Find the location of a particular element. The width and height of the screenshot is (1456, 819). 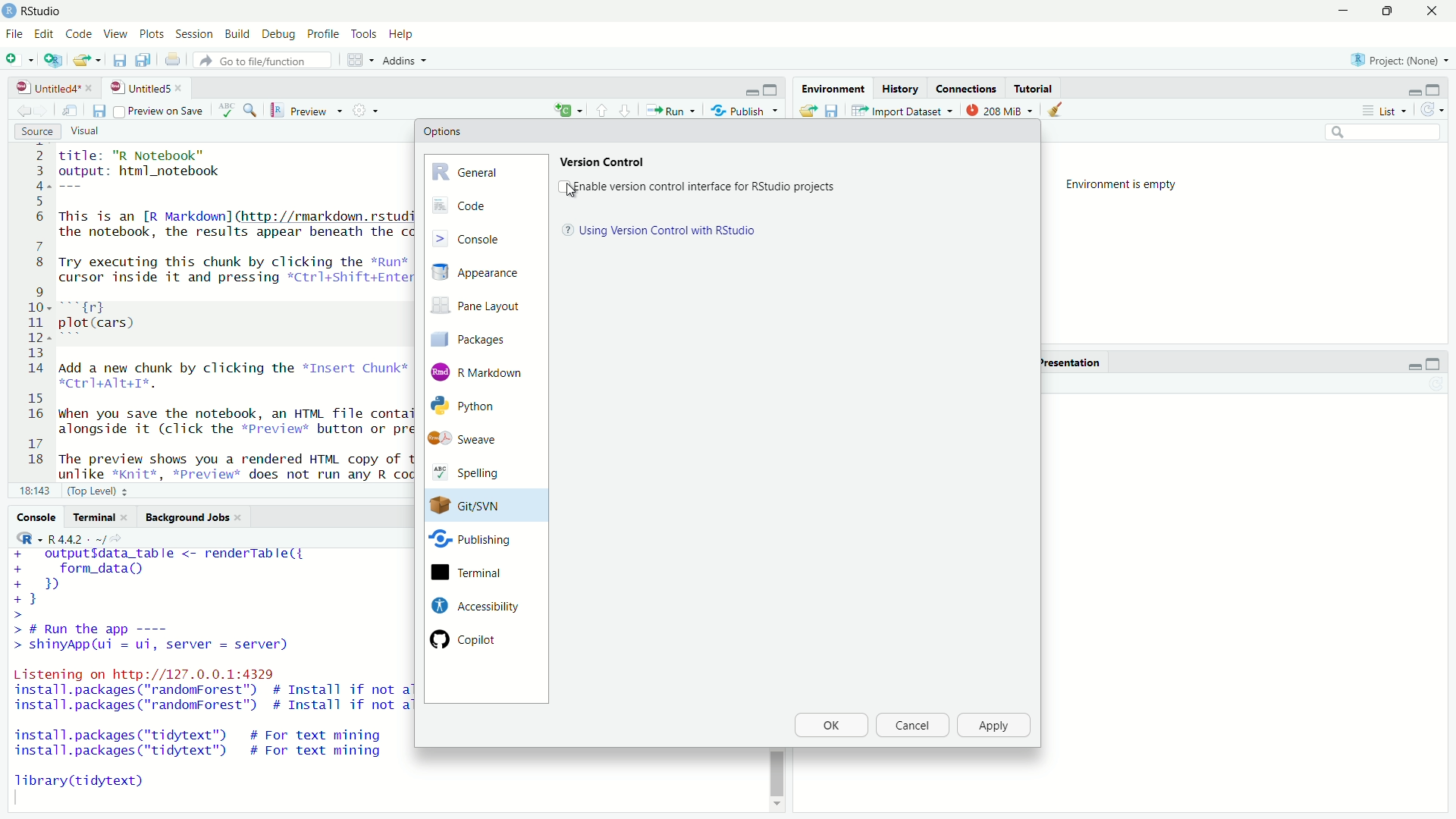

Addins is located at coordinates (408, 61).